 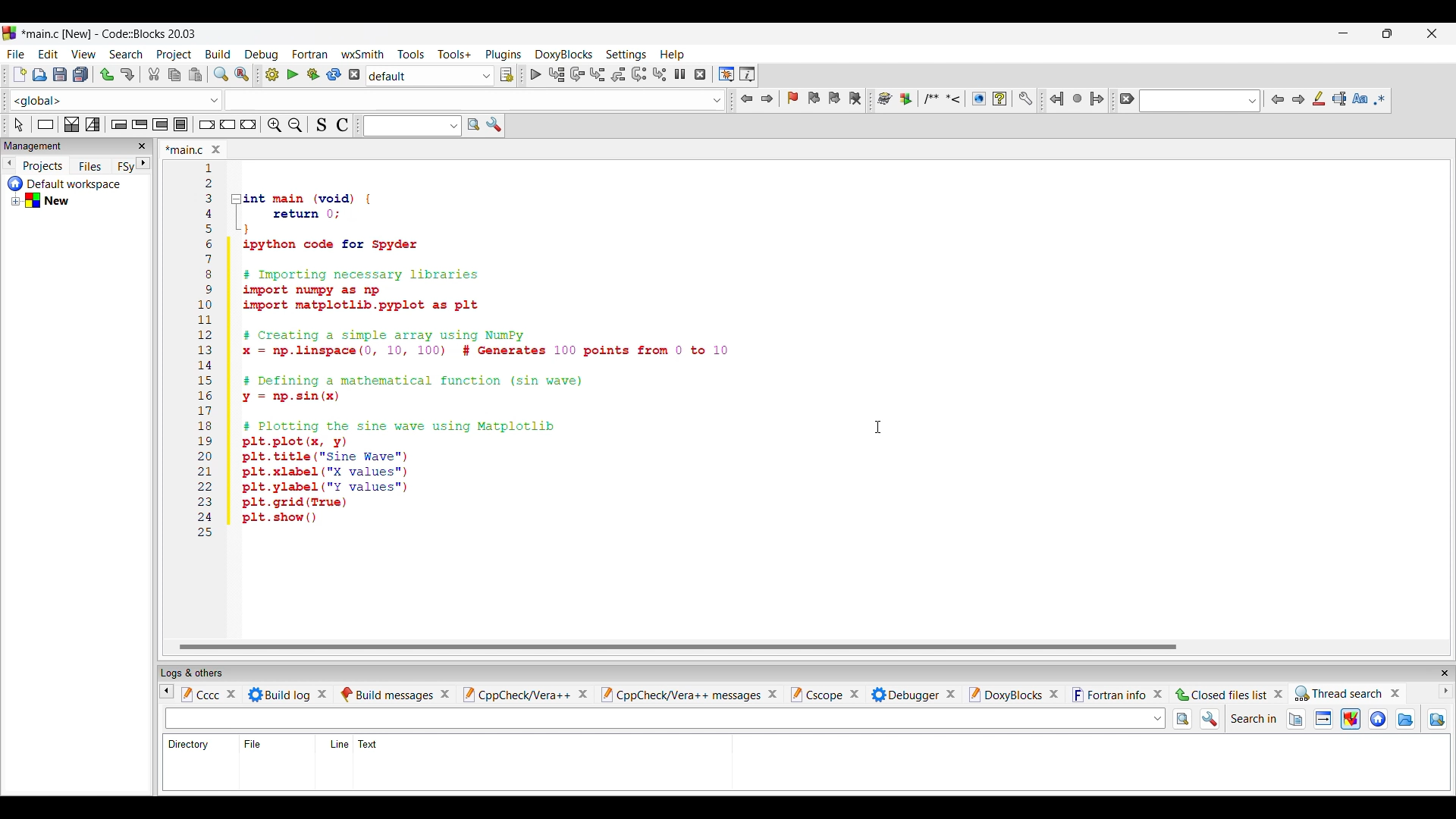 I want to click on Redo, so click(x=127, y=74).